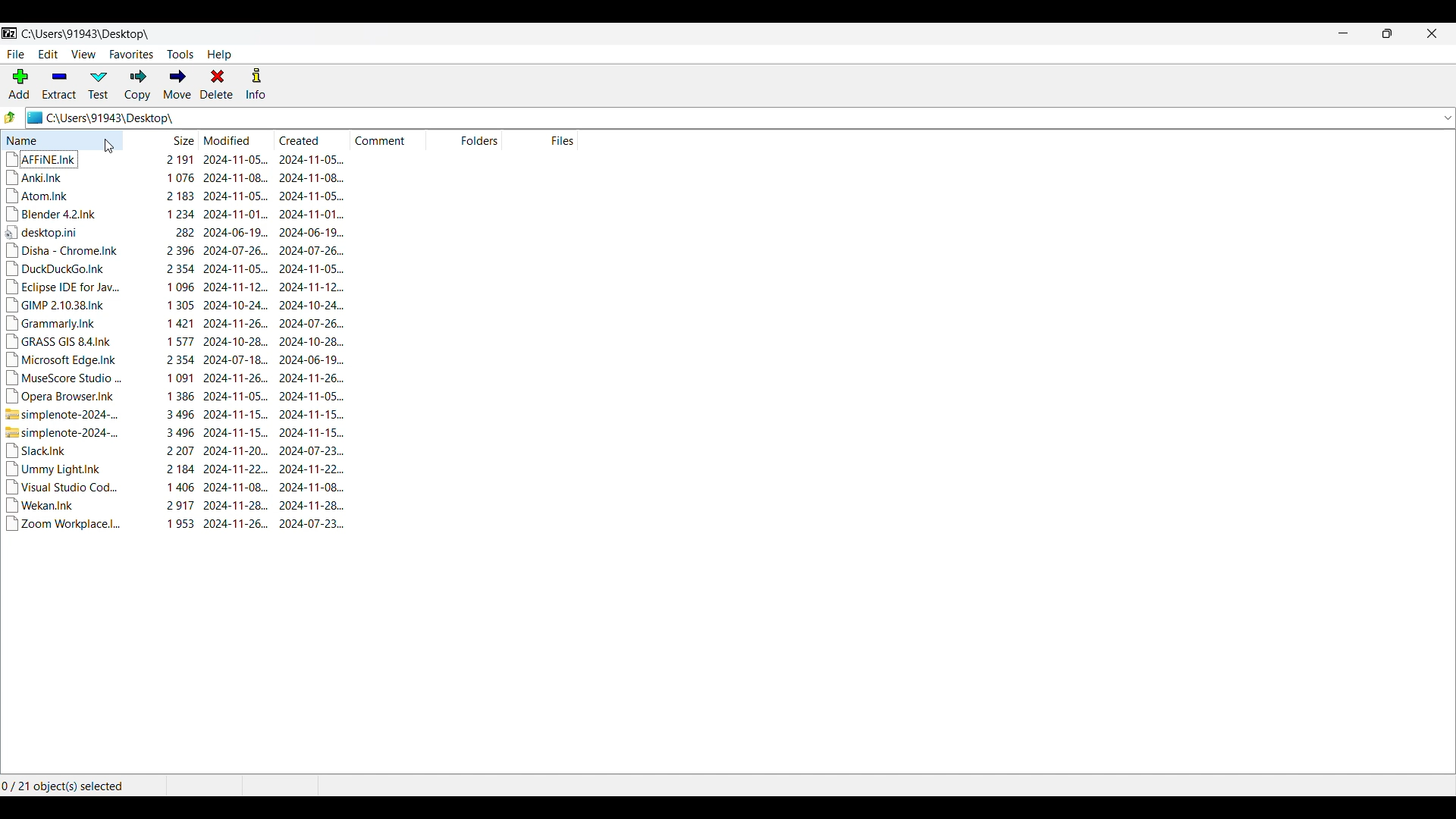 The width and height of the screenshot is (1456, 819). Describe the element at coordinates (177, 524) in the screenshot. I see `Zoom Workplace.l... 1953 2024-11-26... 2024-07-23..` at that location.